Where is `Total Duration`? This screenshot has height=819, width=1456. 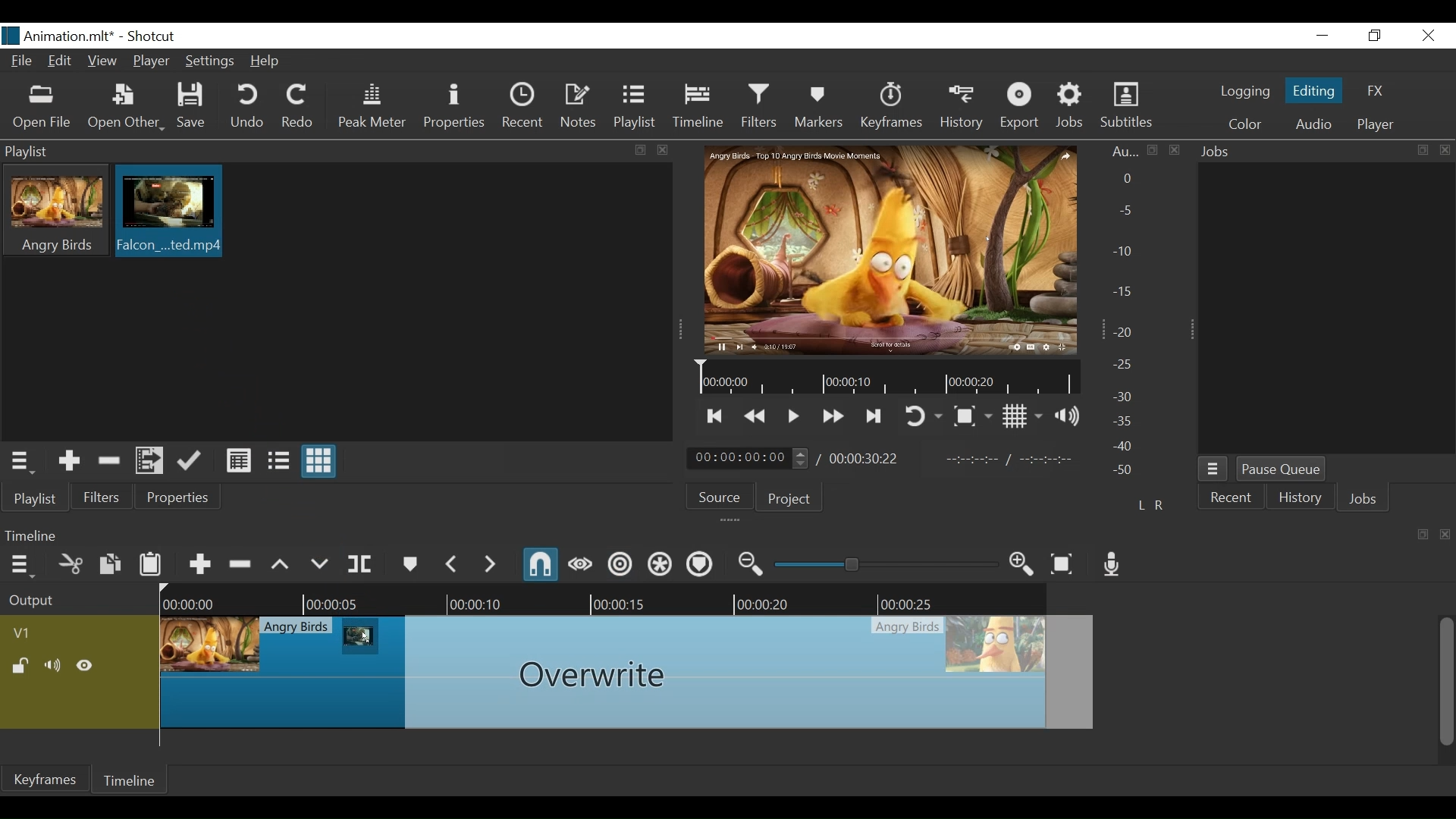
Total Duration is located at coordinates (866, 459).